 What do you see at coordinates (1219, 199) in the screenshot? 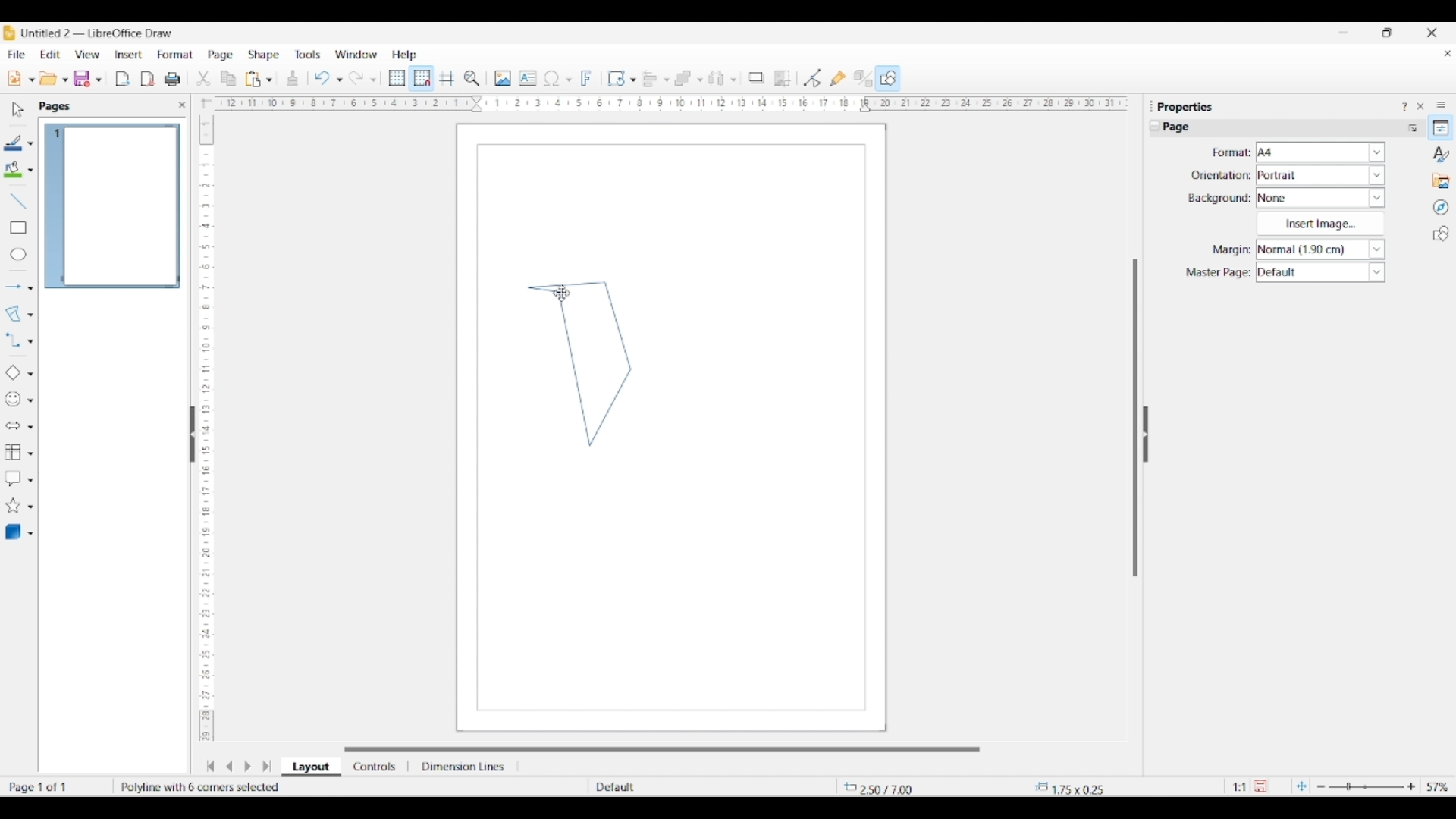
I see `Indicates background settings` at bounding box center [1219, 199].